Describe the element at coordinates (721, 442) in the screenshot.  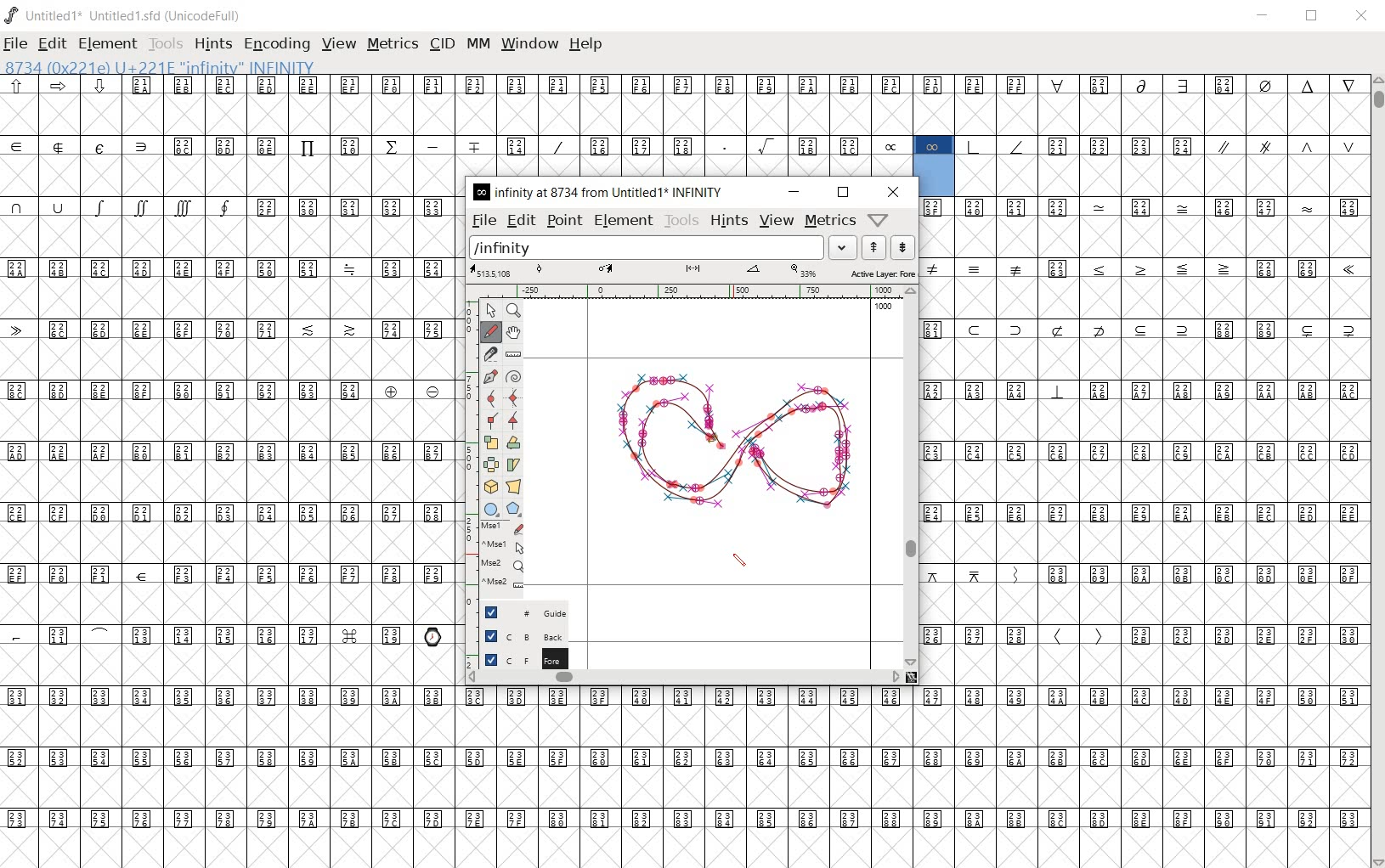
I see `pen tool/CURSOR LOCATION` at that location.